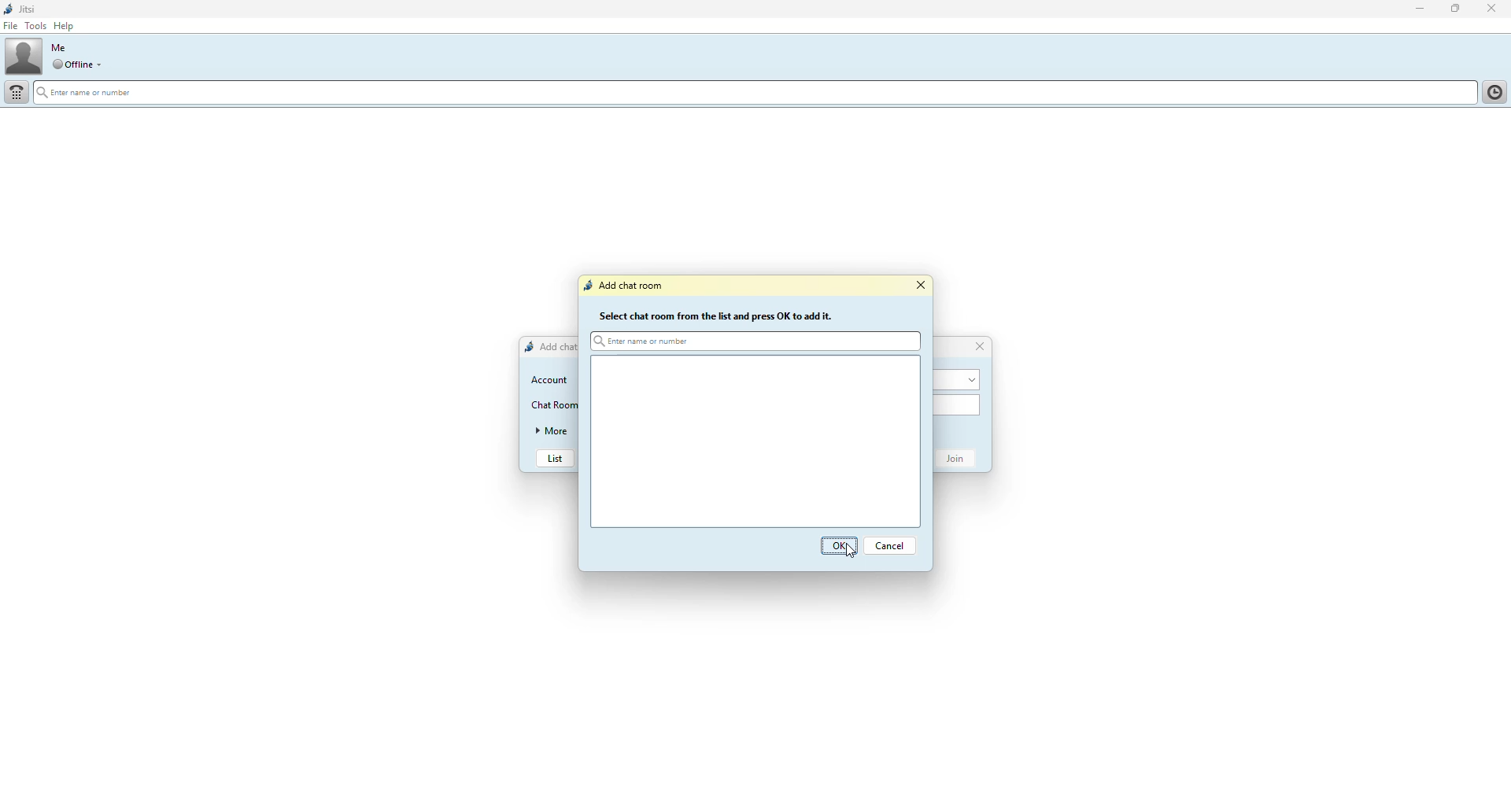  What do you see at coordinates (556, 458) in the screenshot?
I see `list` at bounding box center [556, 458].